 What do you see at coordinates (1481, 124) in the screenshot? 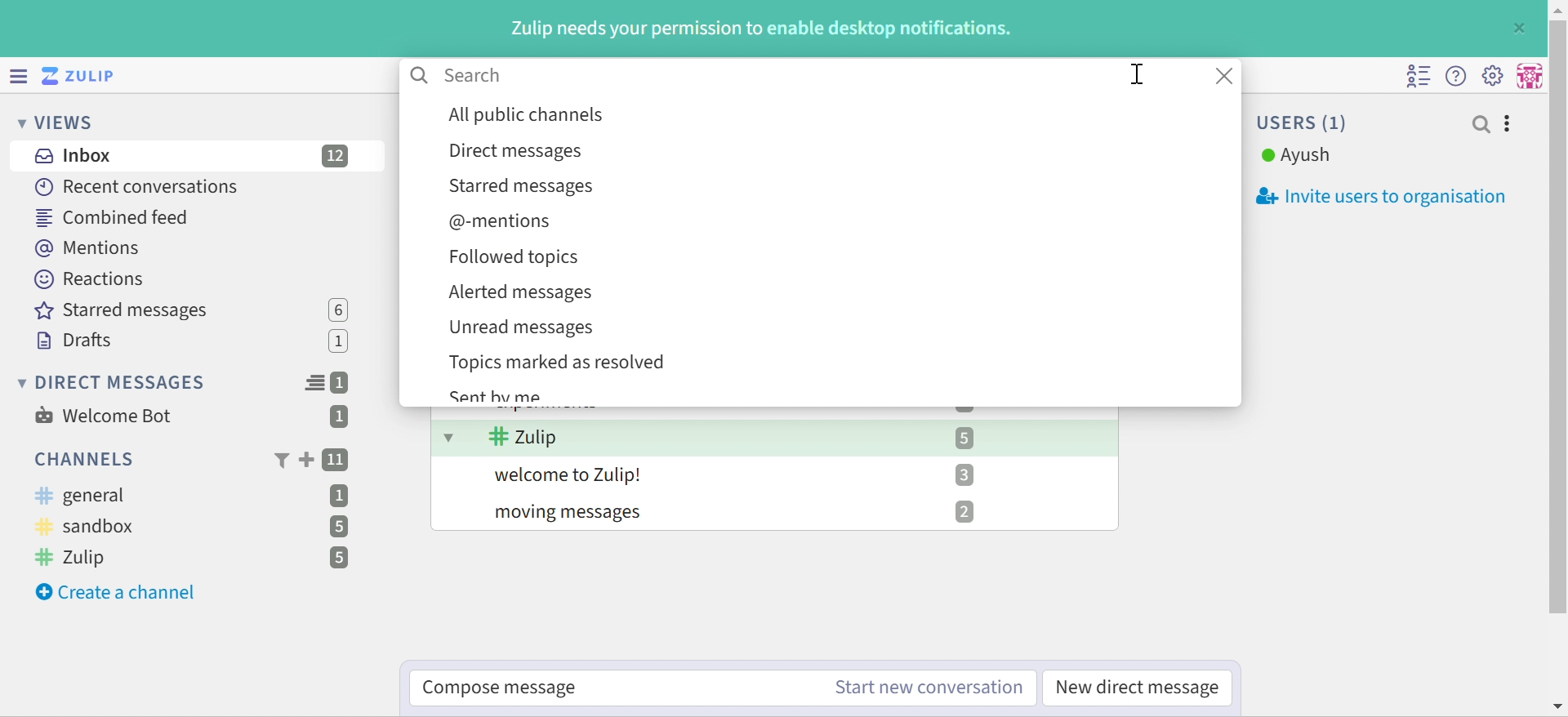
I see `Search one person` at bounding box center [1481, 124].